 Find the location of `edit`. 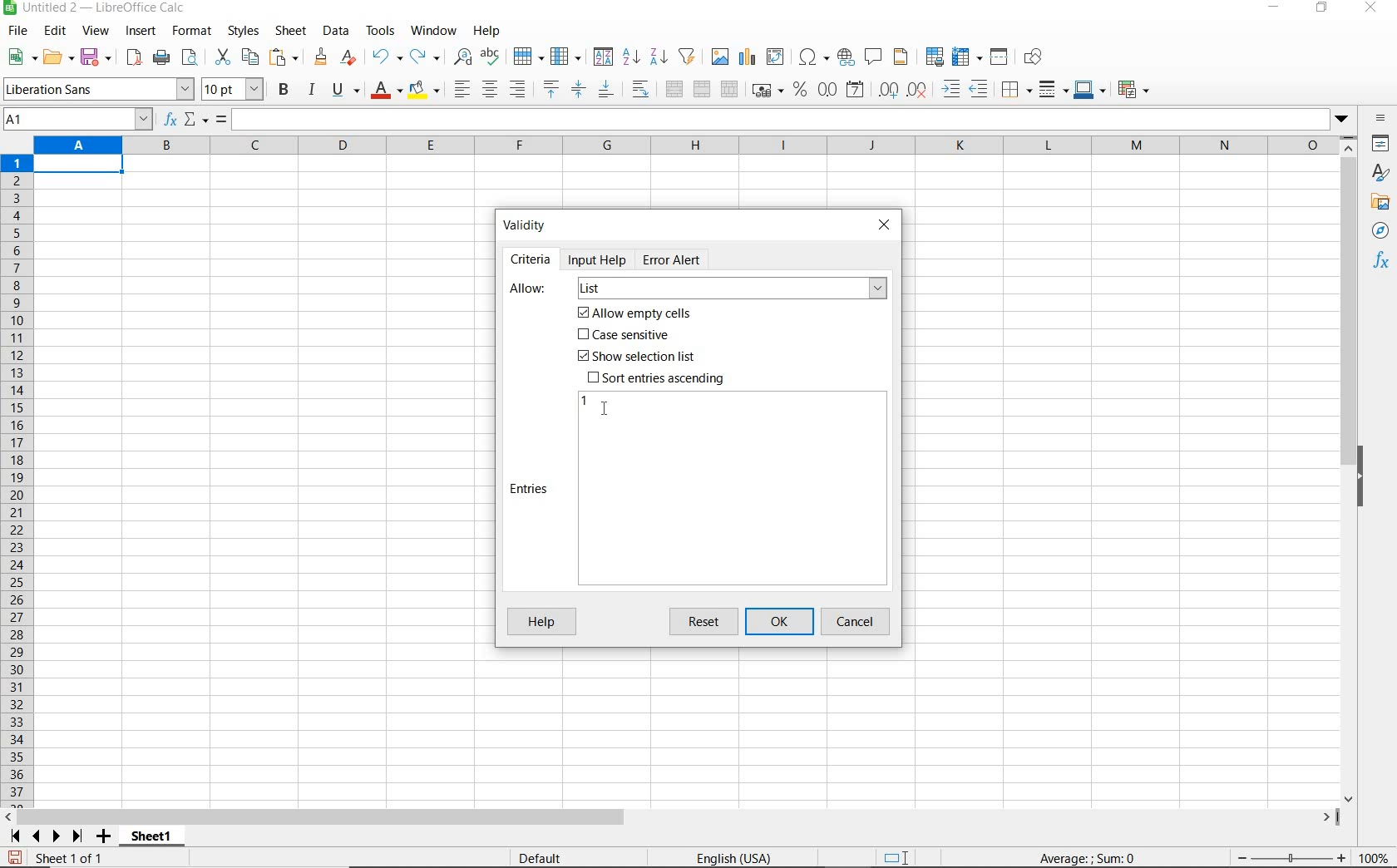

edit is located at coordinates (56, 33).